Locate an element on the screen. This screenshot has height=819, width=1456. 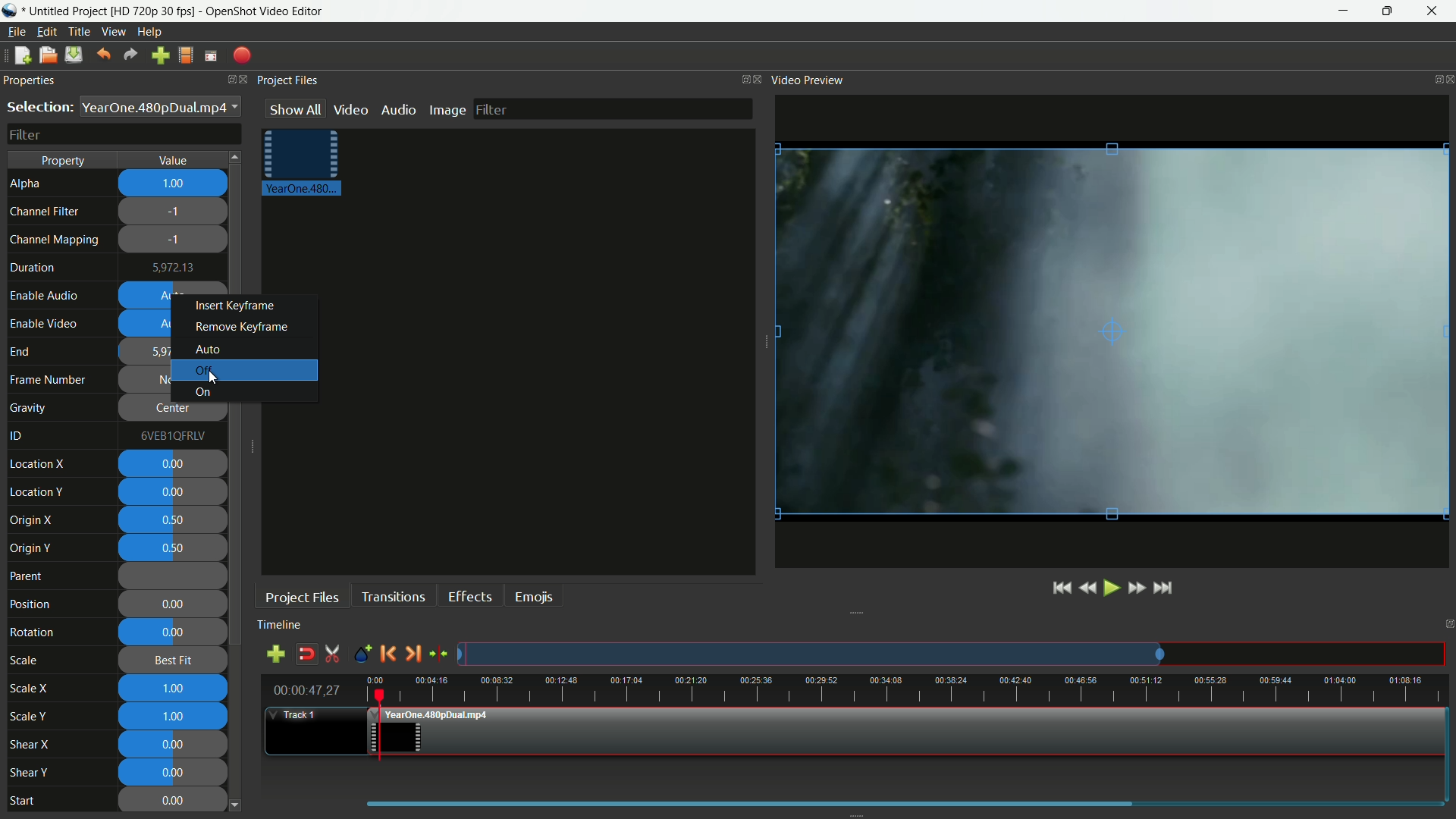
cursor is located at coordinates (210, 379).